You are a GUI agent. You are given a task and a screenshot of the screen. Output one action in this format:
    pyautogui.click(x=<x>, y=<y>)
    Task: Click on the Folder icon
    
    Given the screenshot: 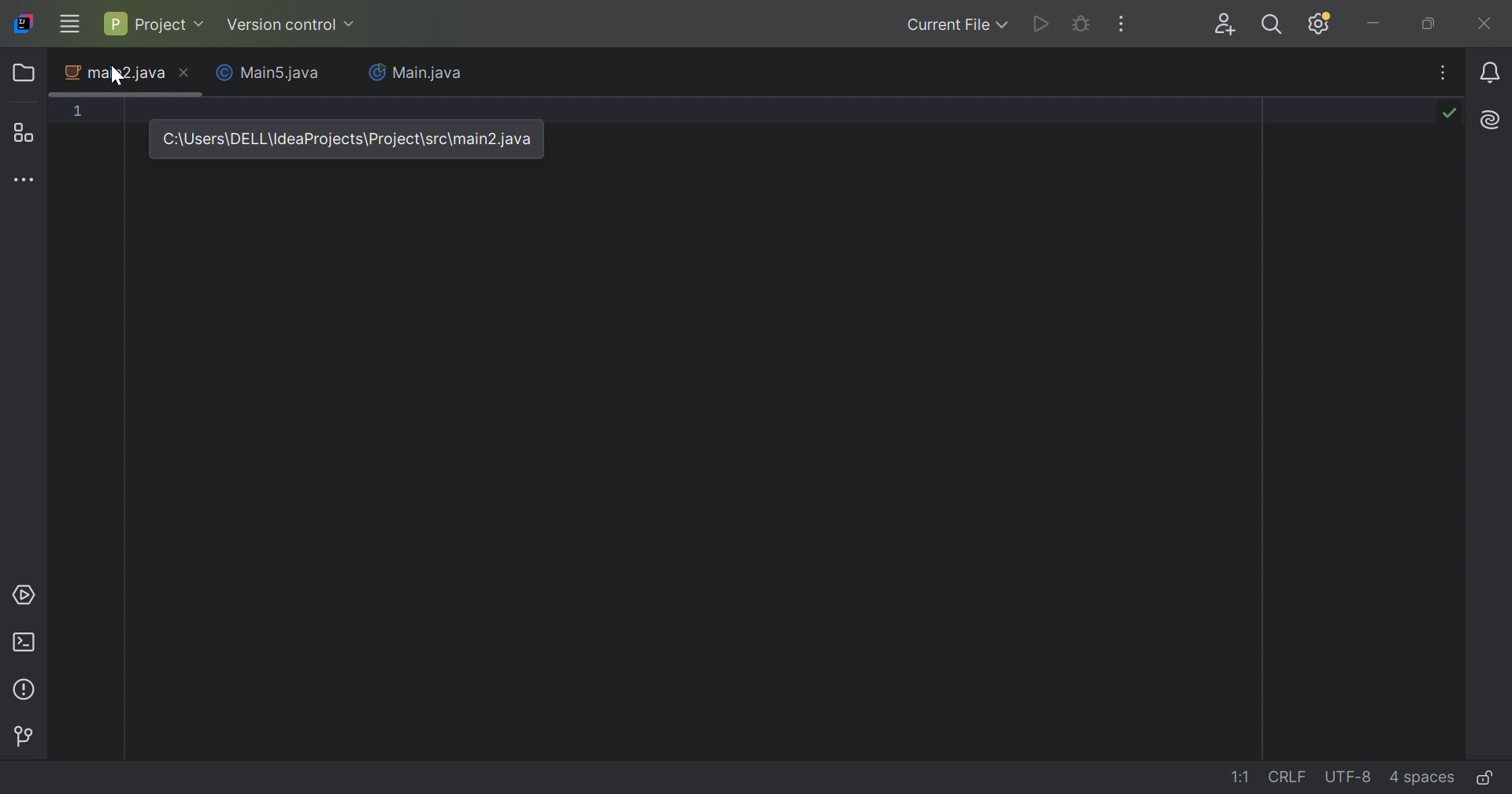 What is the action you would take?
    pyautogui.click(x=26, y=72)
    